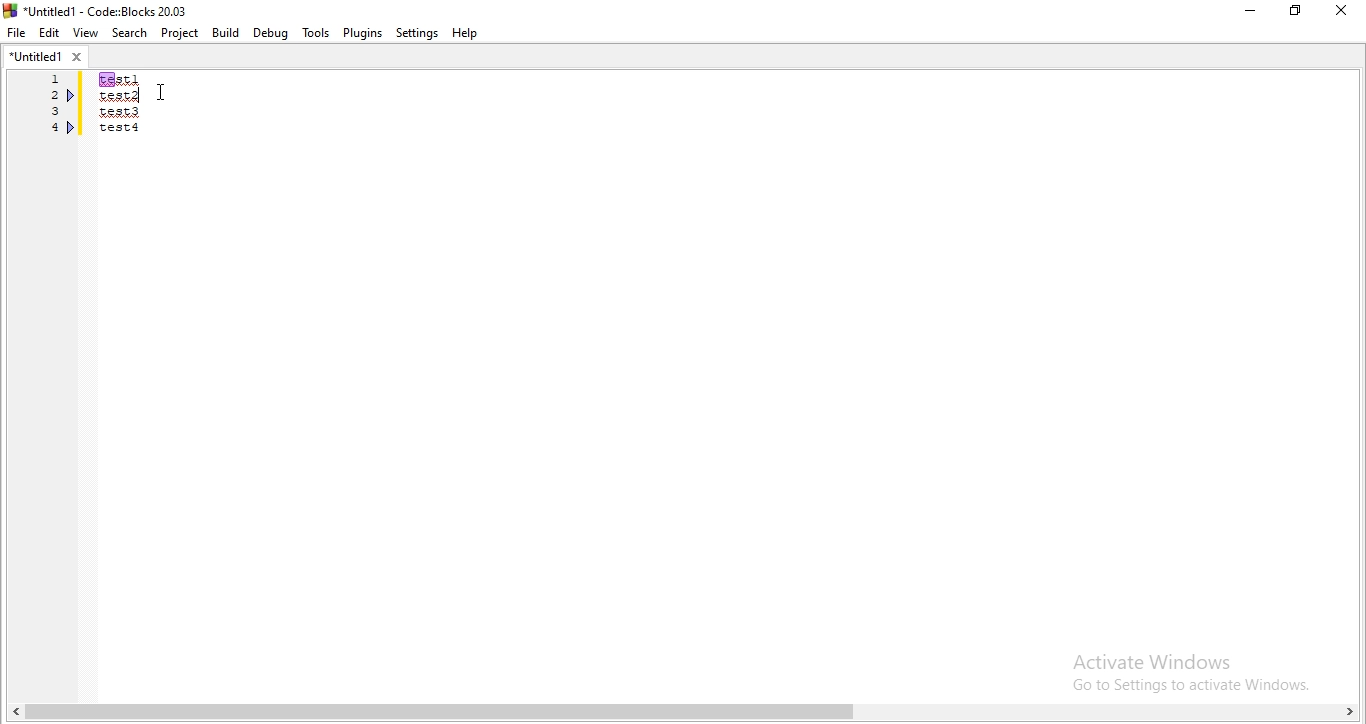  What do you see at coordinates (226, 32) in the screenshot?
I see `Build ` at bounding box center [226, 32].